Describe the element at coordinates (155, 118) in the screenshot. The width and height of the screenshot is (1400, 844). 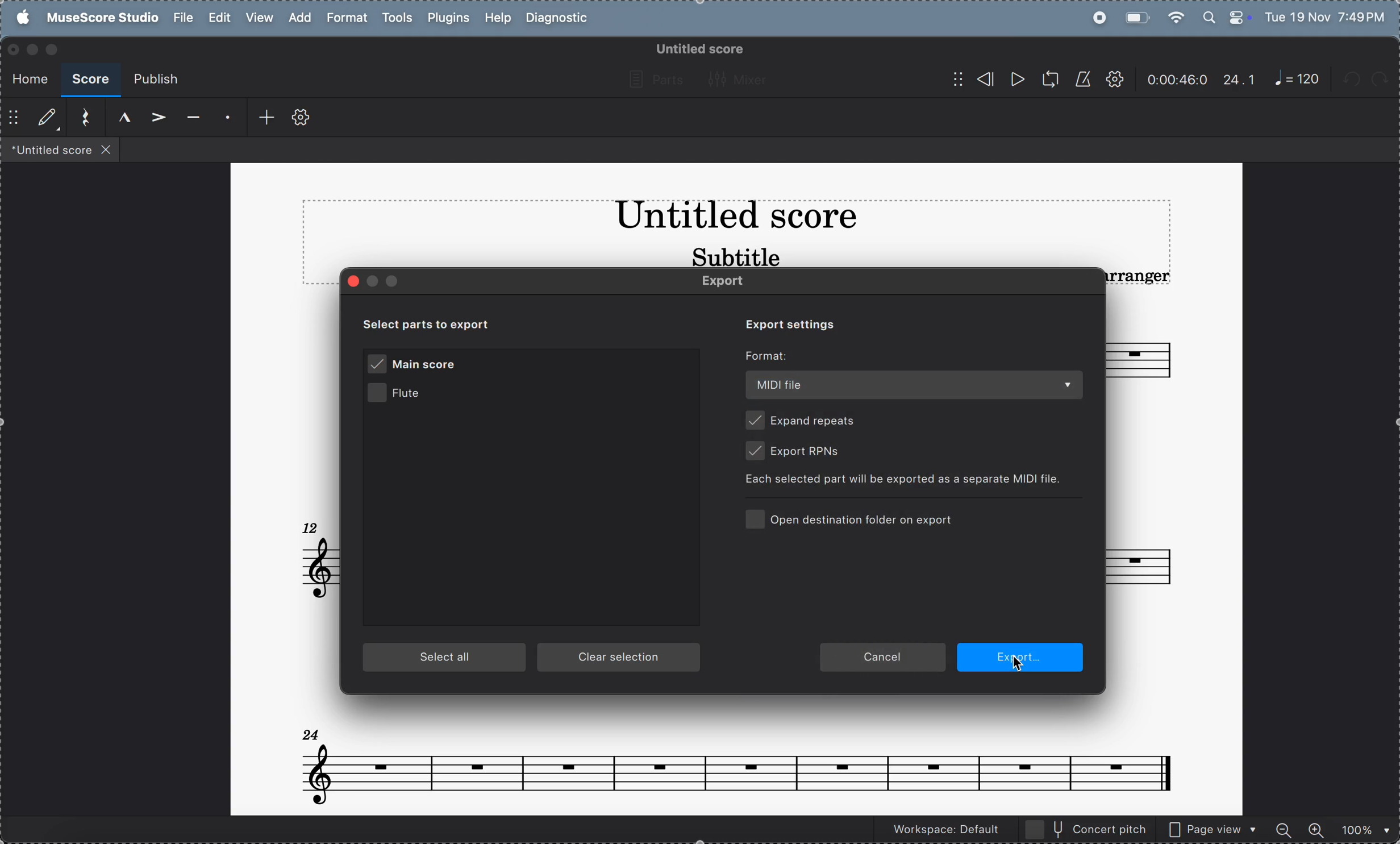
I see `accent` at that location.